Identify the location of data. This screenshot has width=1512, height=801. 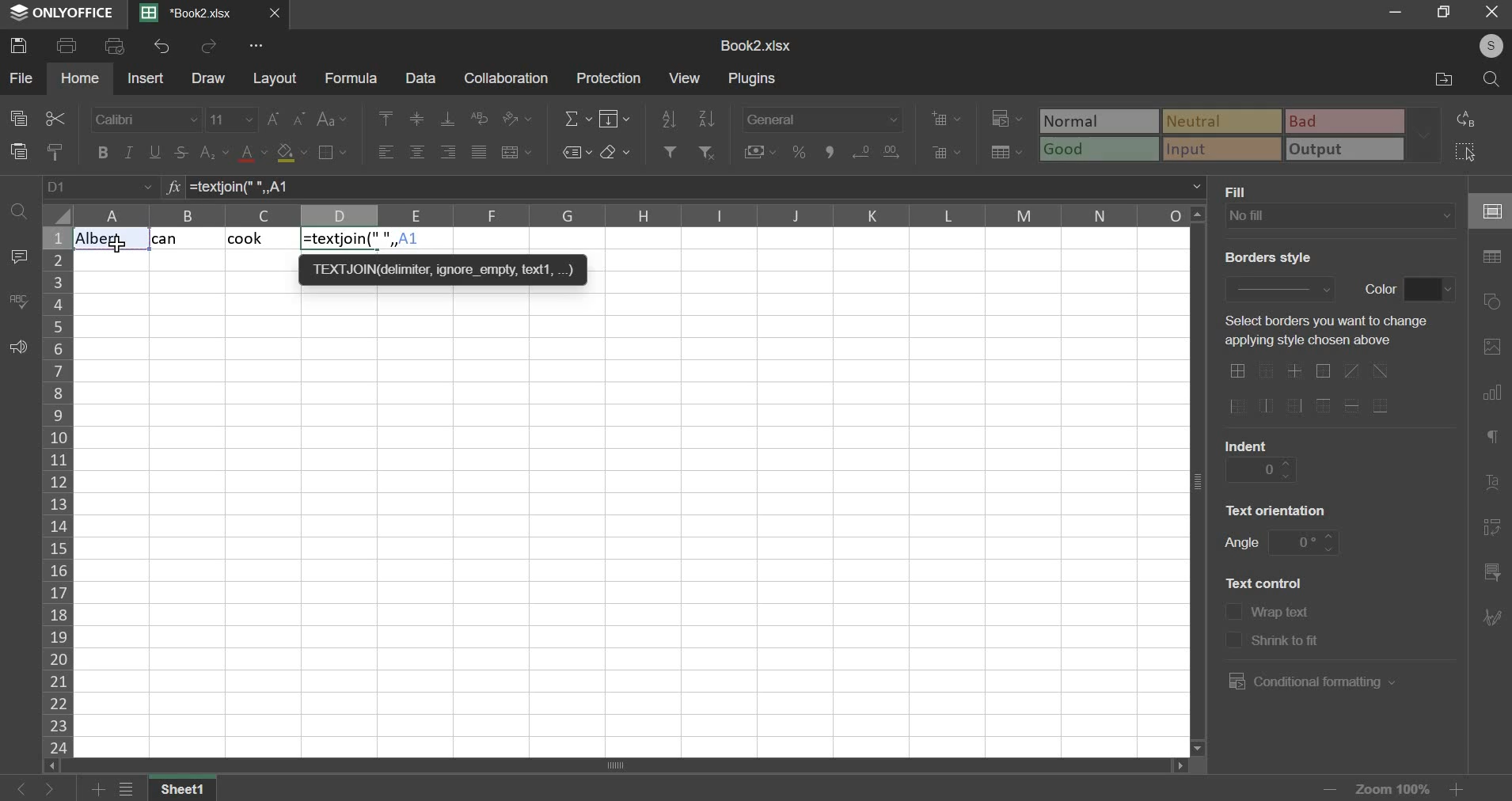
(420, 78).